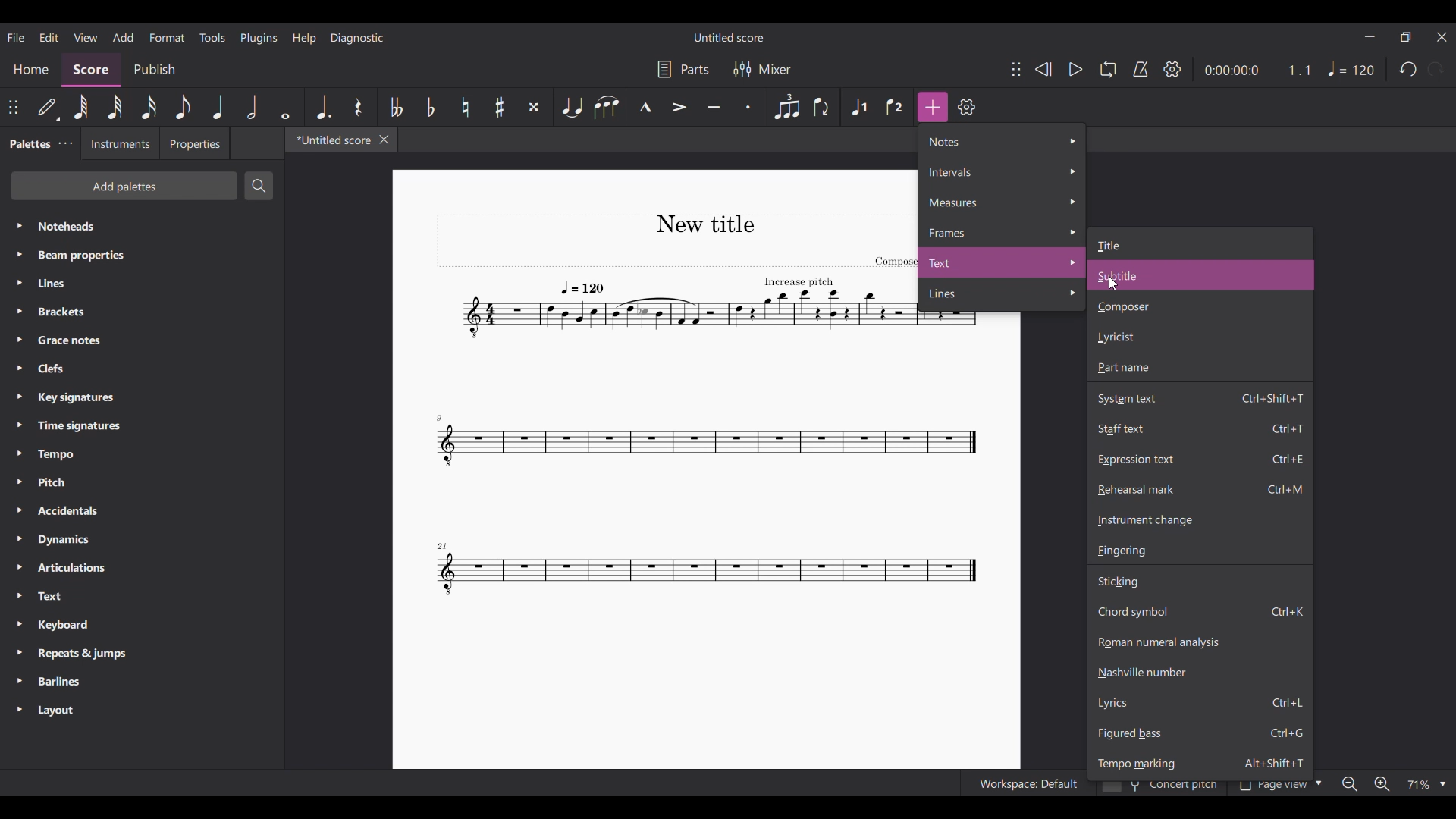  Describe the element at coordinates (142, 682) in the screenshot. I see `Barlines` at that location.